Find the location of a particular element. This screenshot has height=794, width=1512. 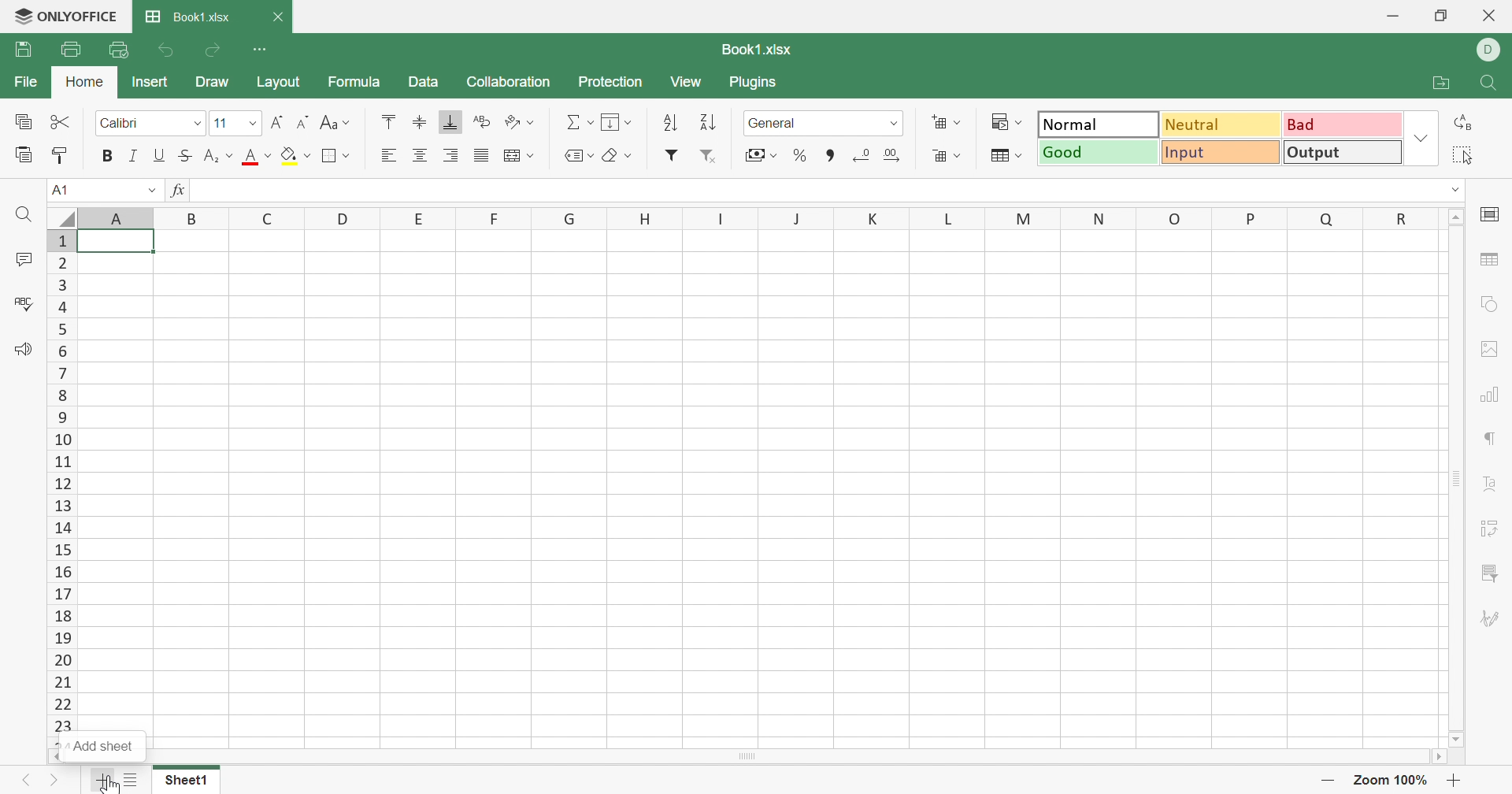

M is located at coordinates (1026, 220).